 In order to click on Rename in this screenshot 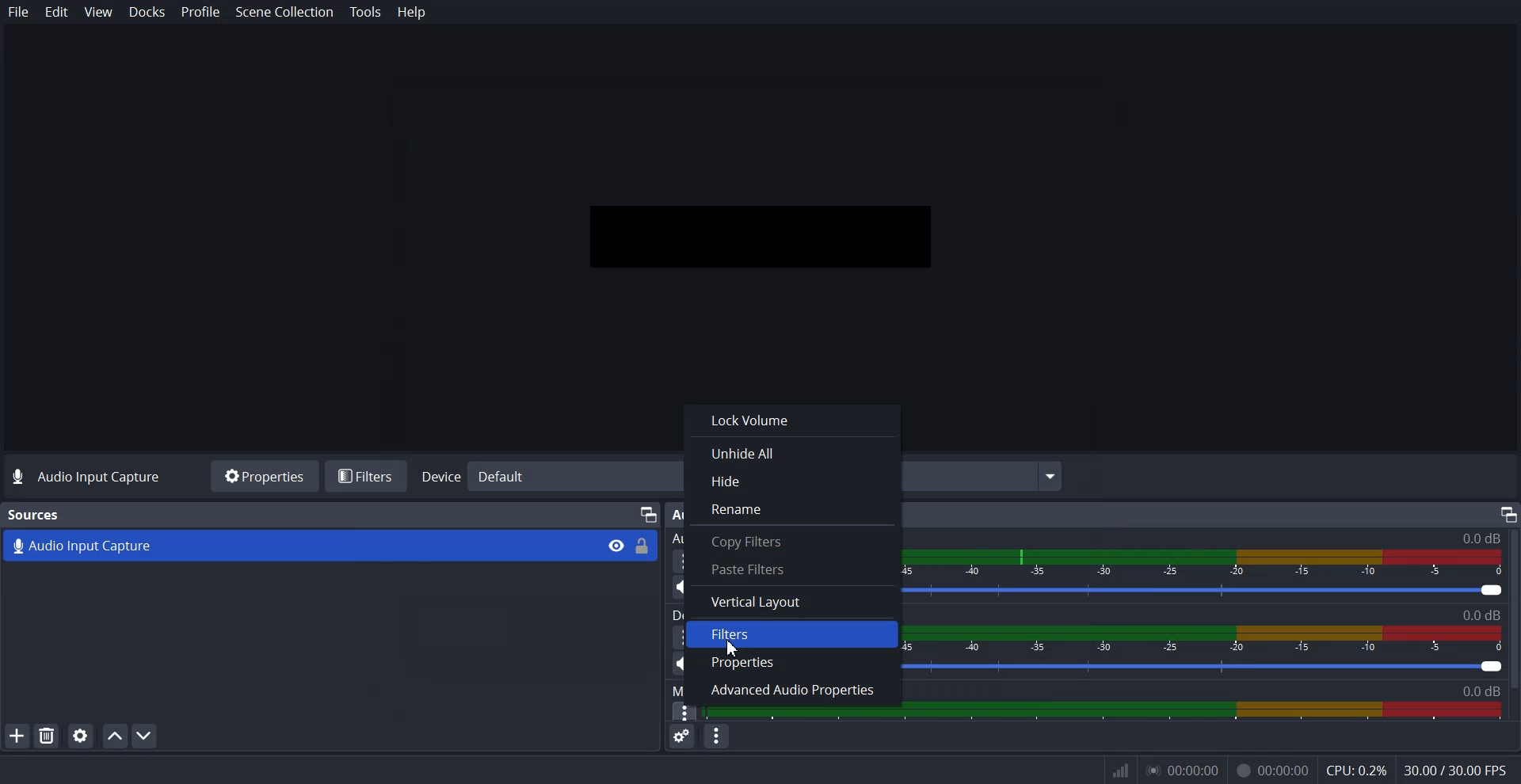, I will do `click(801, 508)`.